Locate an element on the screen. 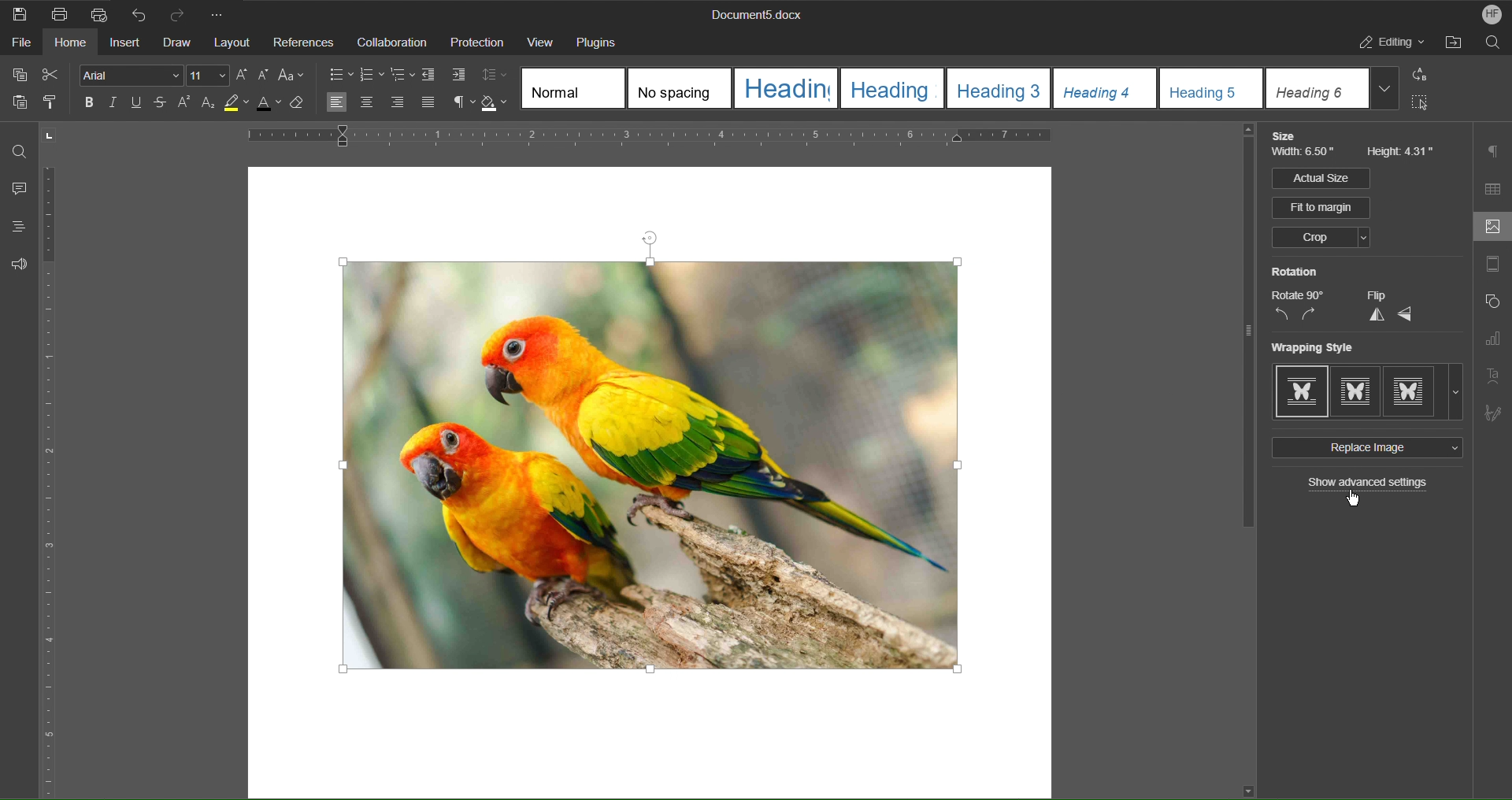 The width and height of the screenshot is (1512, 800). Replace is located at coordinates (1425, 76).